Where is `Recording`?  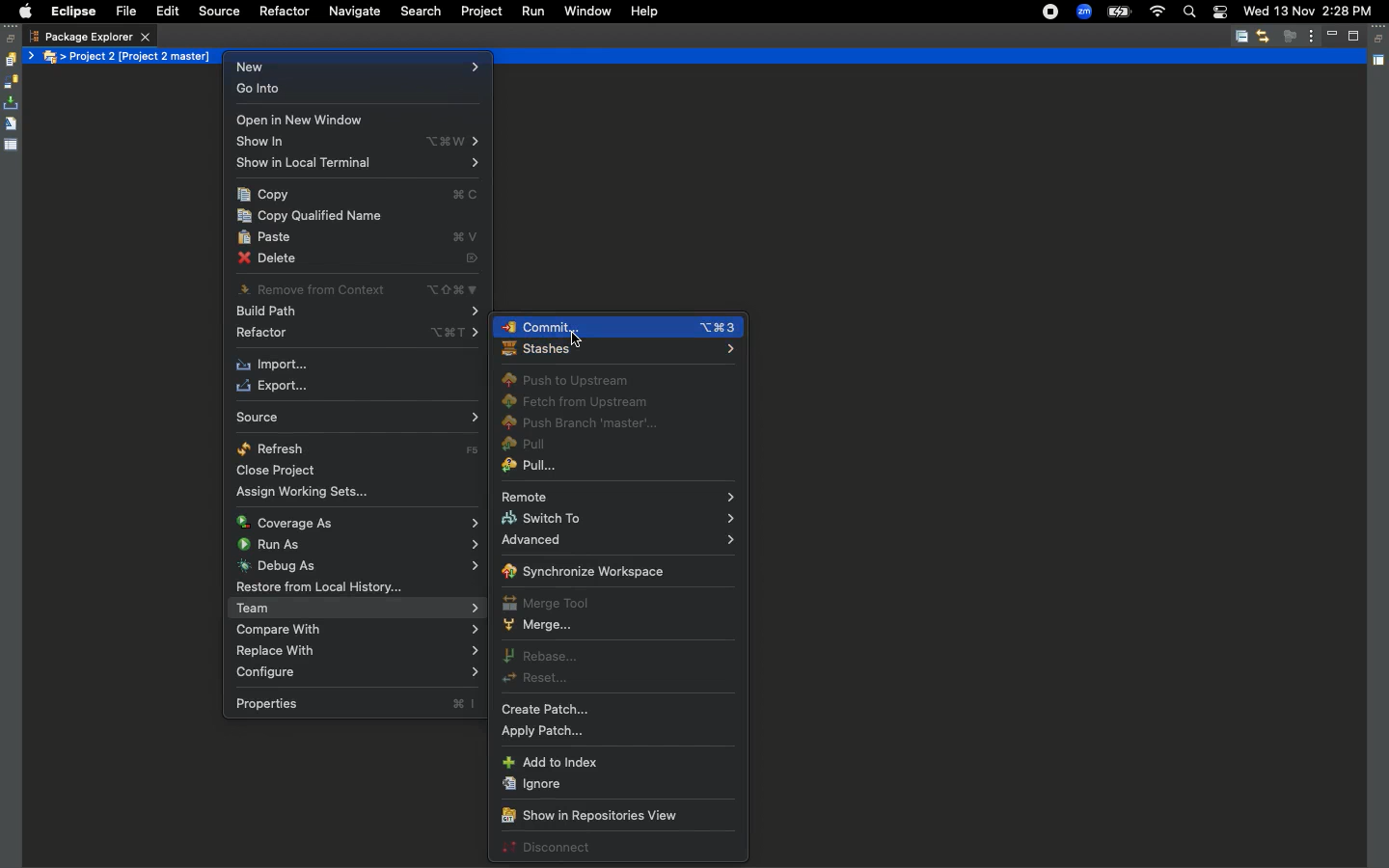 Recording is located at coordinates (1051, 12).